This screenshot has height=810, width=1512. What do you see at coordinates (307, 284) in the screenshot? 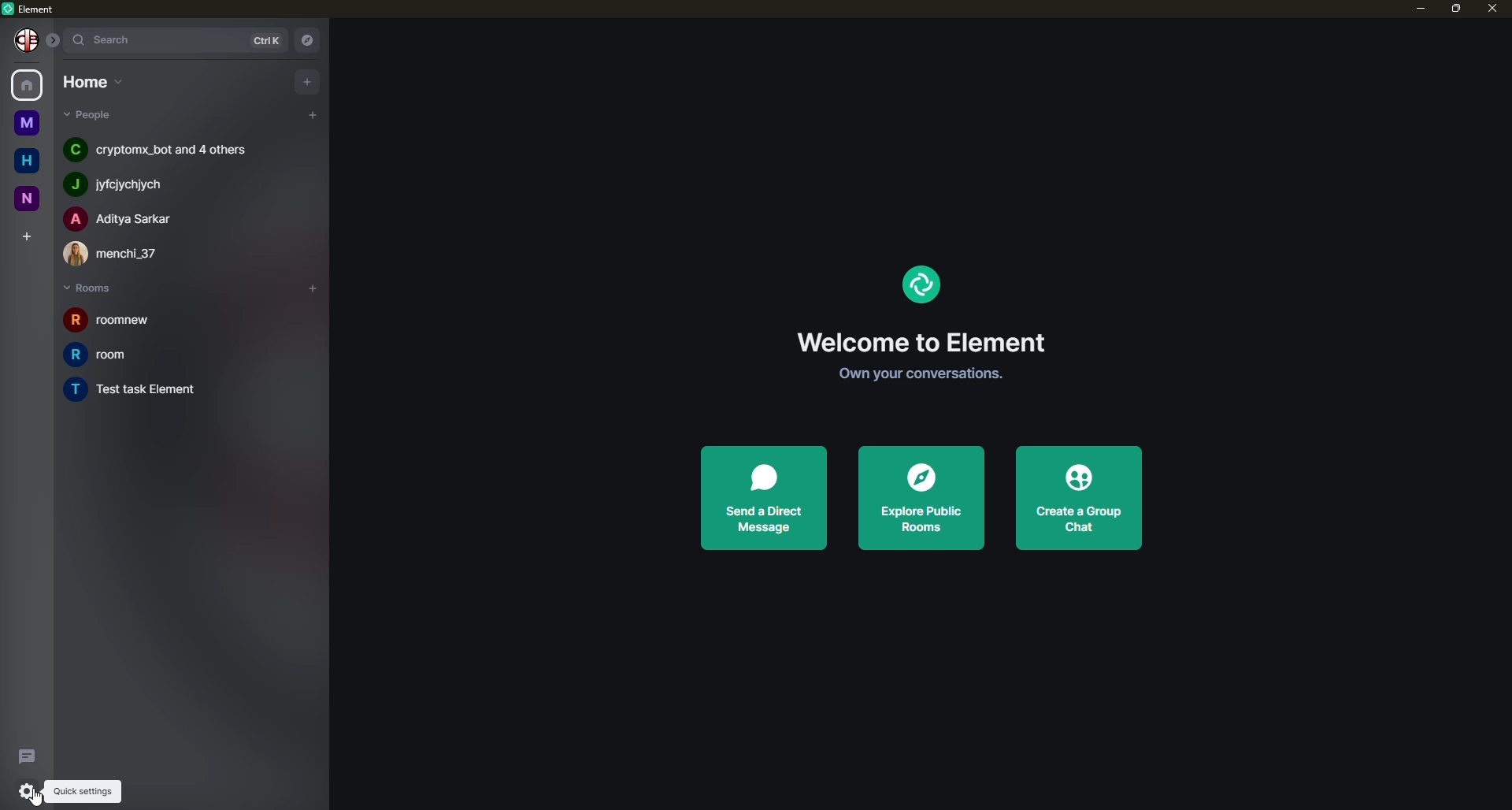
I see `add` at bounding box center [307, 284].